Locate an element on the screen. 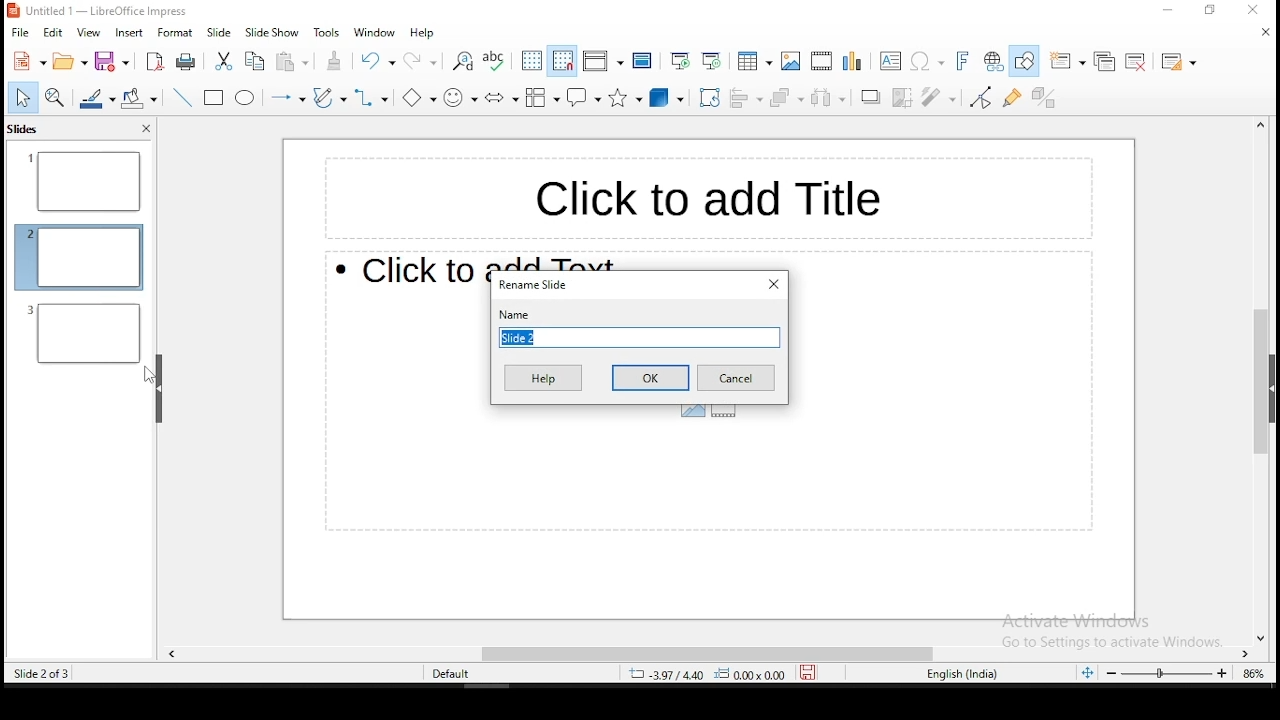  start from current slide is located at coordinates (713, 62).